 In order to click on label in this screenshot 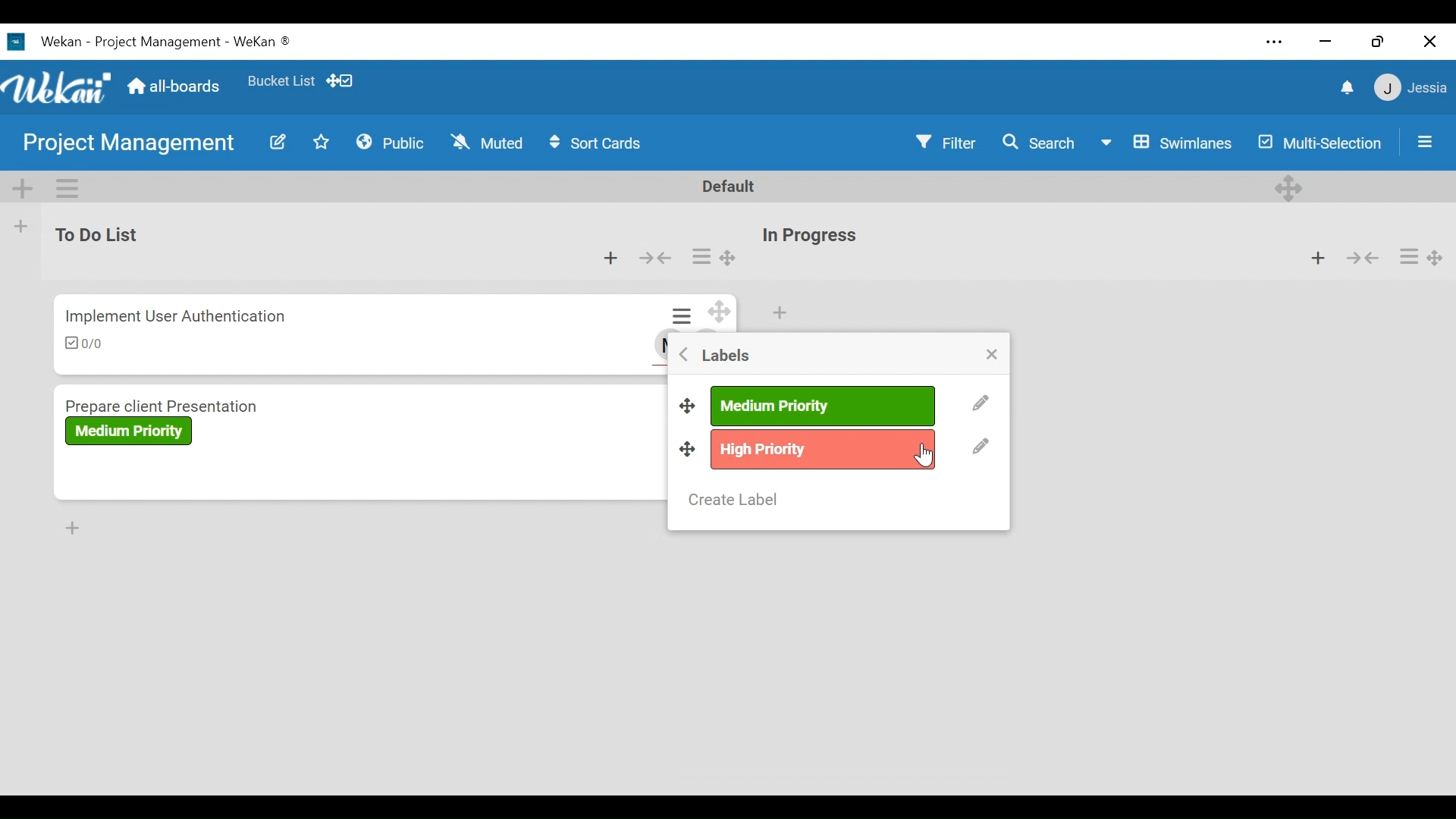, I will do `click(822, 447)`.